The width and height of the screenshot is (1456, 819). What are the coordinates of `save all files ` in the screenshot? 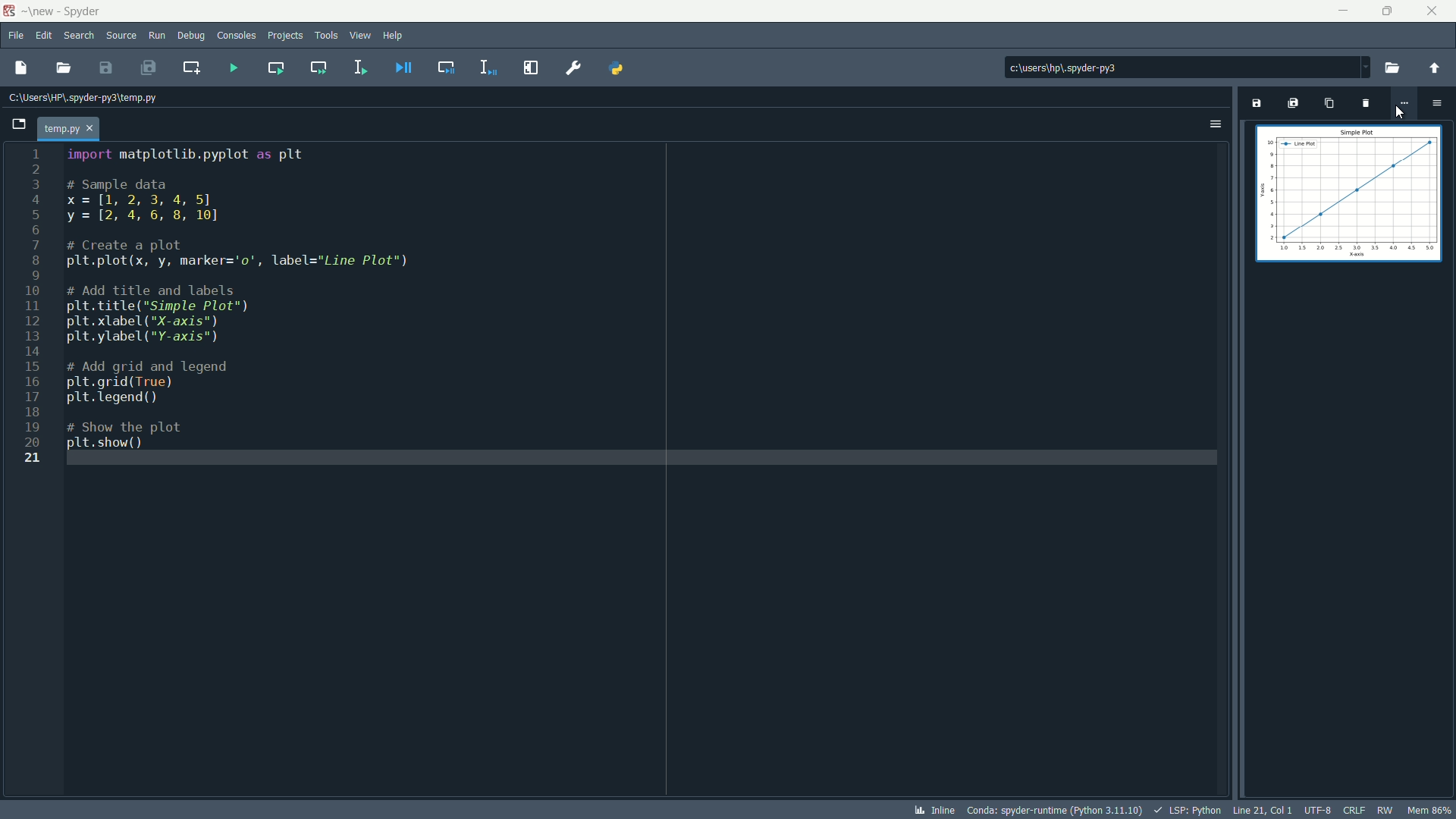 It's located at (150, 67).